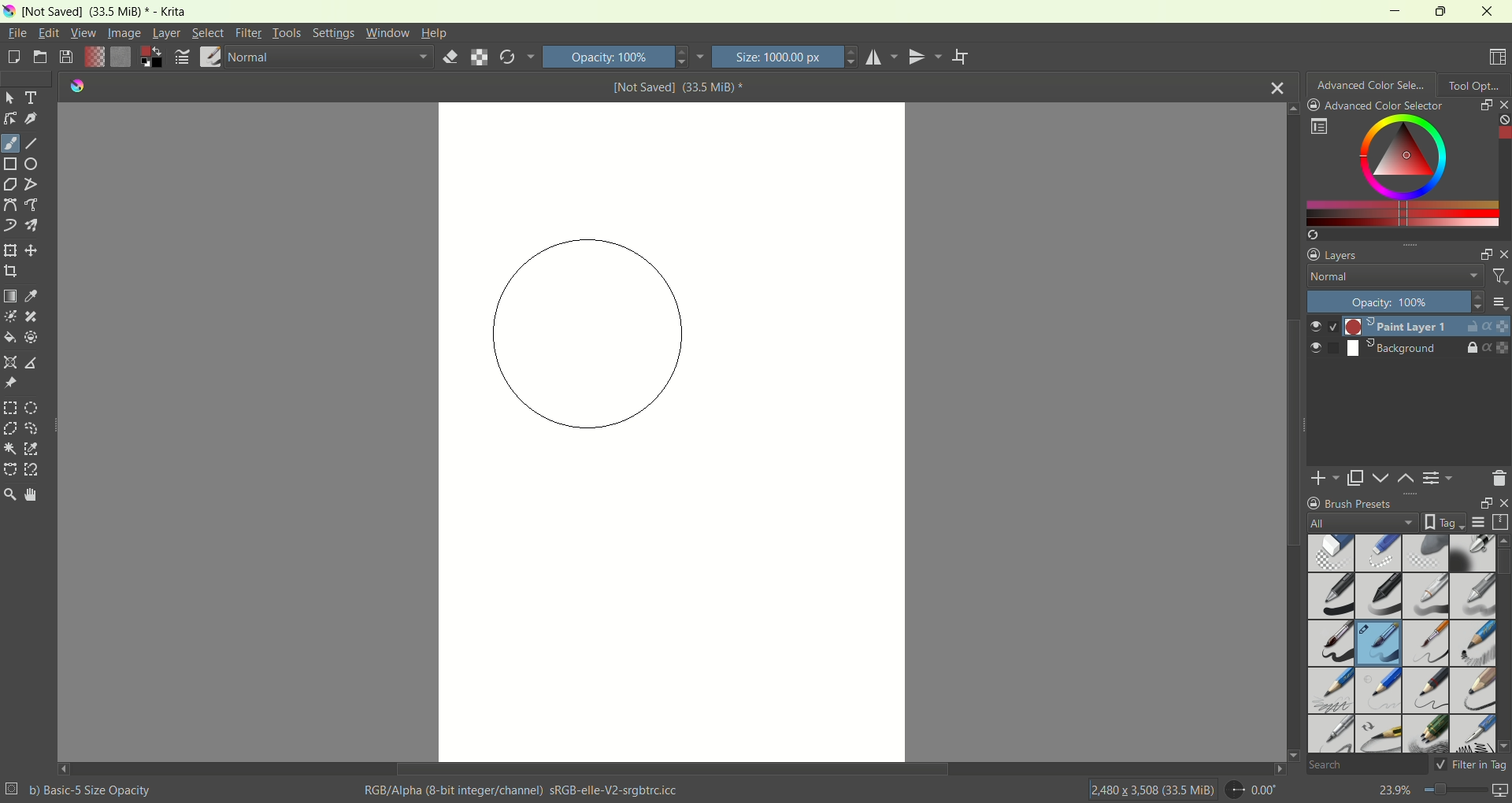 The height and width of the screenshot is (803, 1512). Describe the element at coordinates (10, 225) in the screenshot. I see `dynamic brush` at that location.